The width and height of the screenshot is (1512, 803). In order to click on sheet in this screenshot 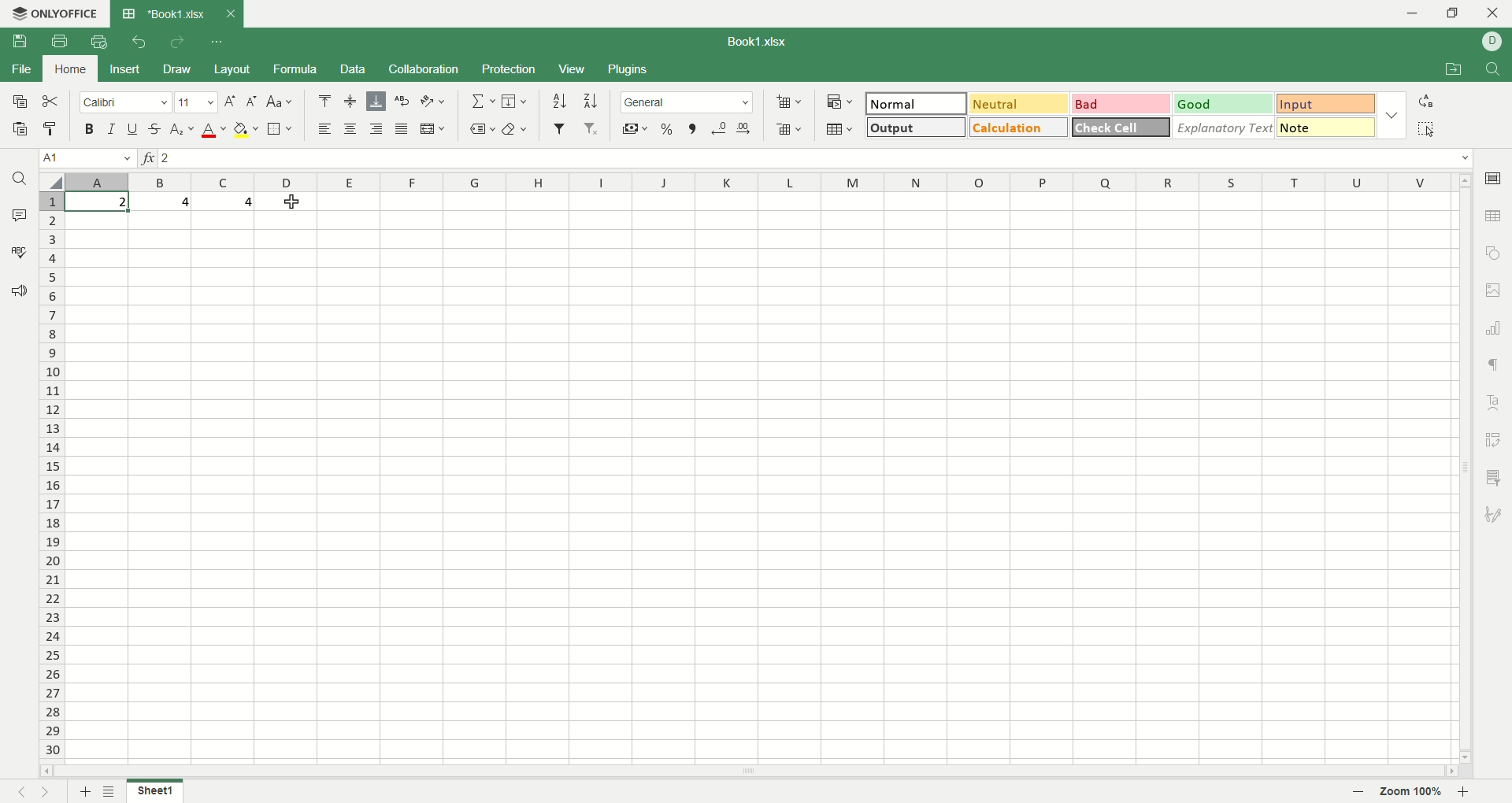, I will do `click(758, 481)`.